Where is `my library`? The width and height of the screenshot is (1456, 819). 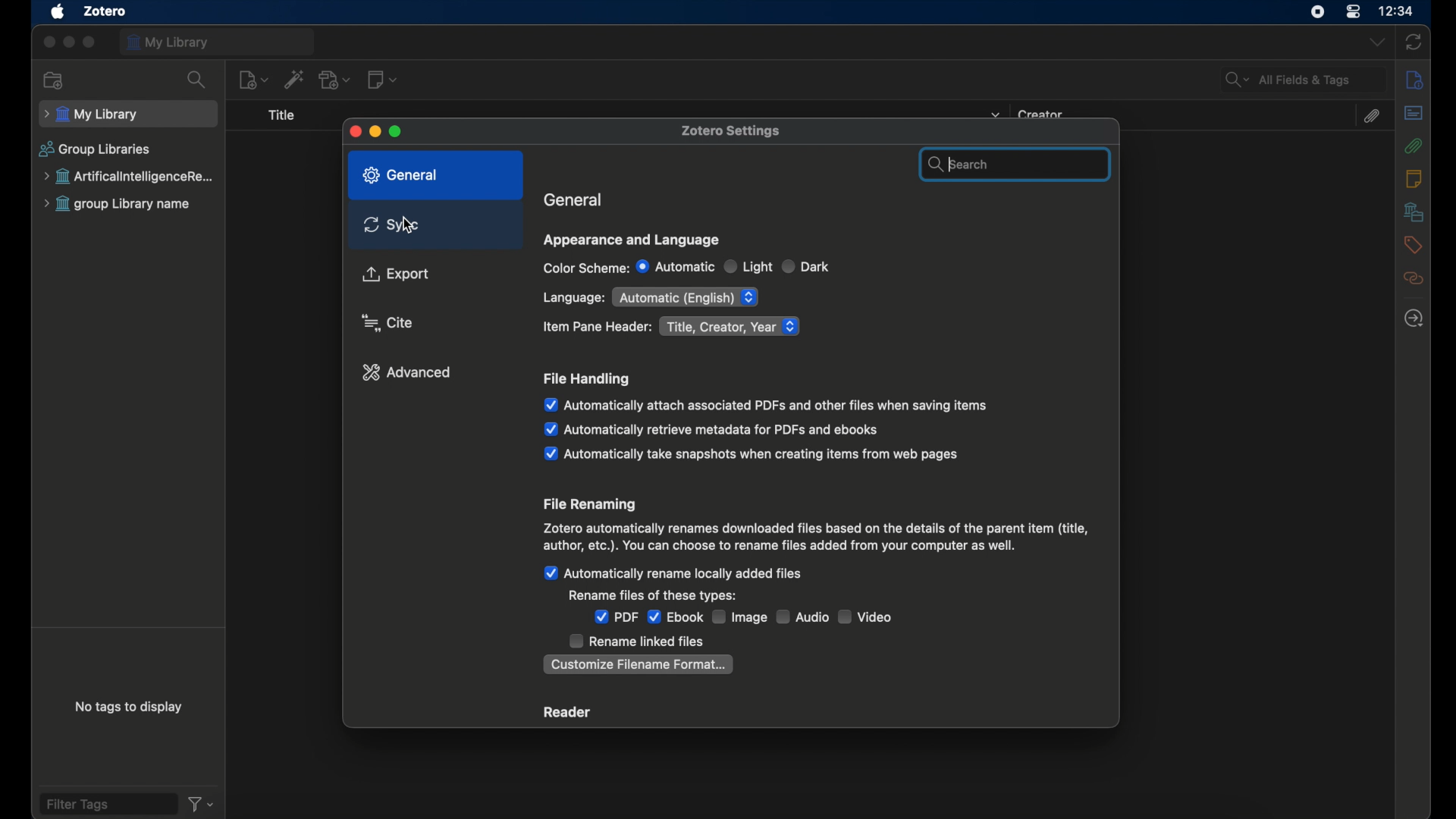
my library is located at coordinates (218, 42).